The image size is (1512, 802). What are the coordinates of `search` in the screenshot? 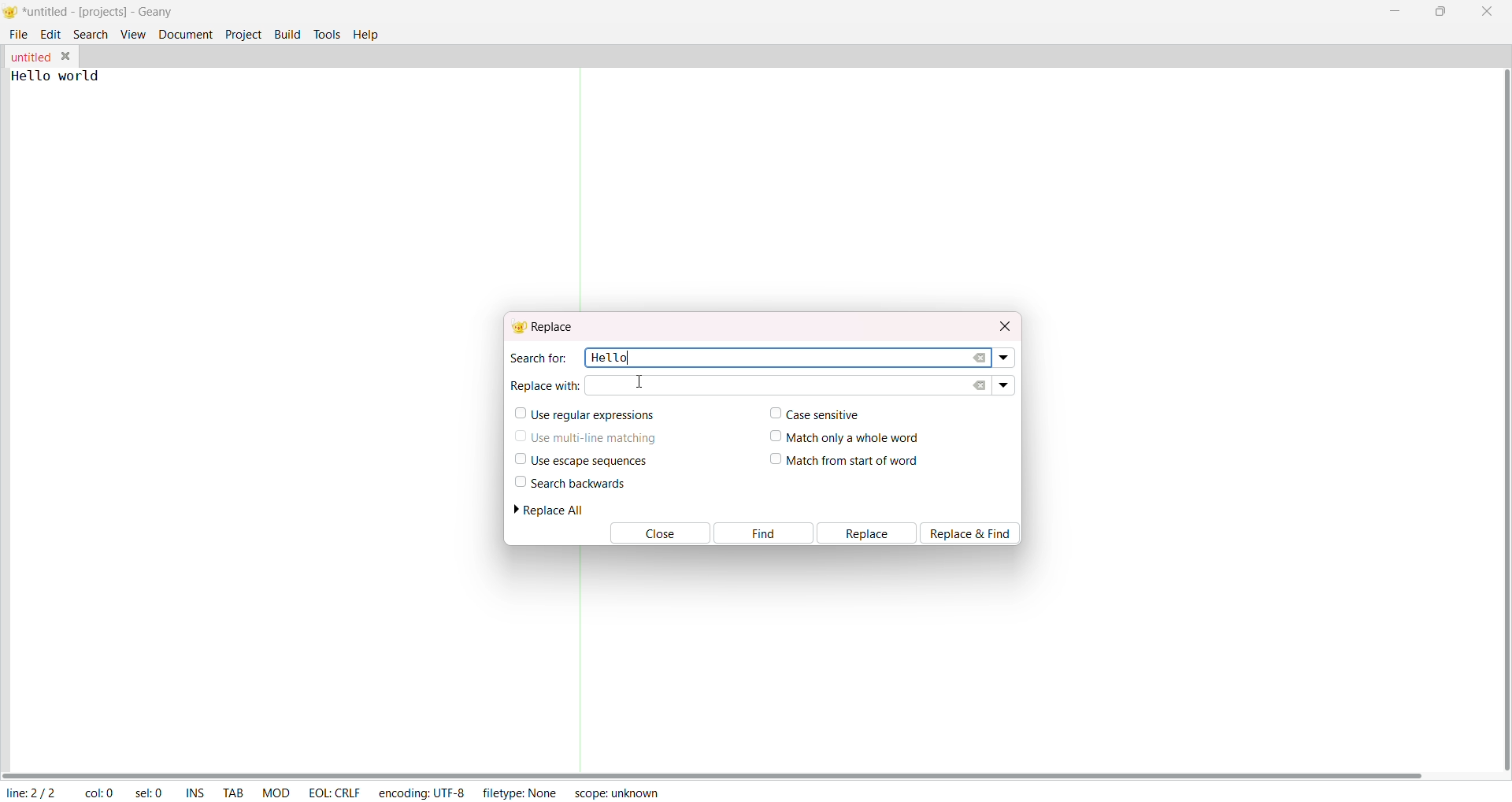 It's located at (91, 33).